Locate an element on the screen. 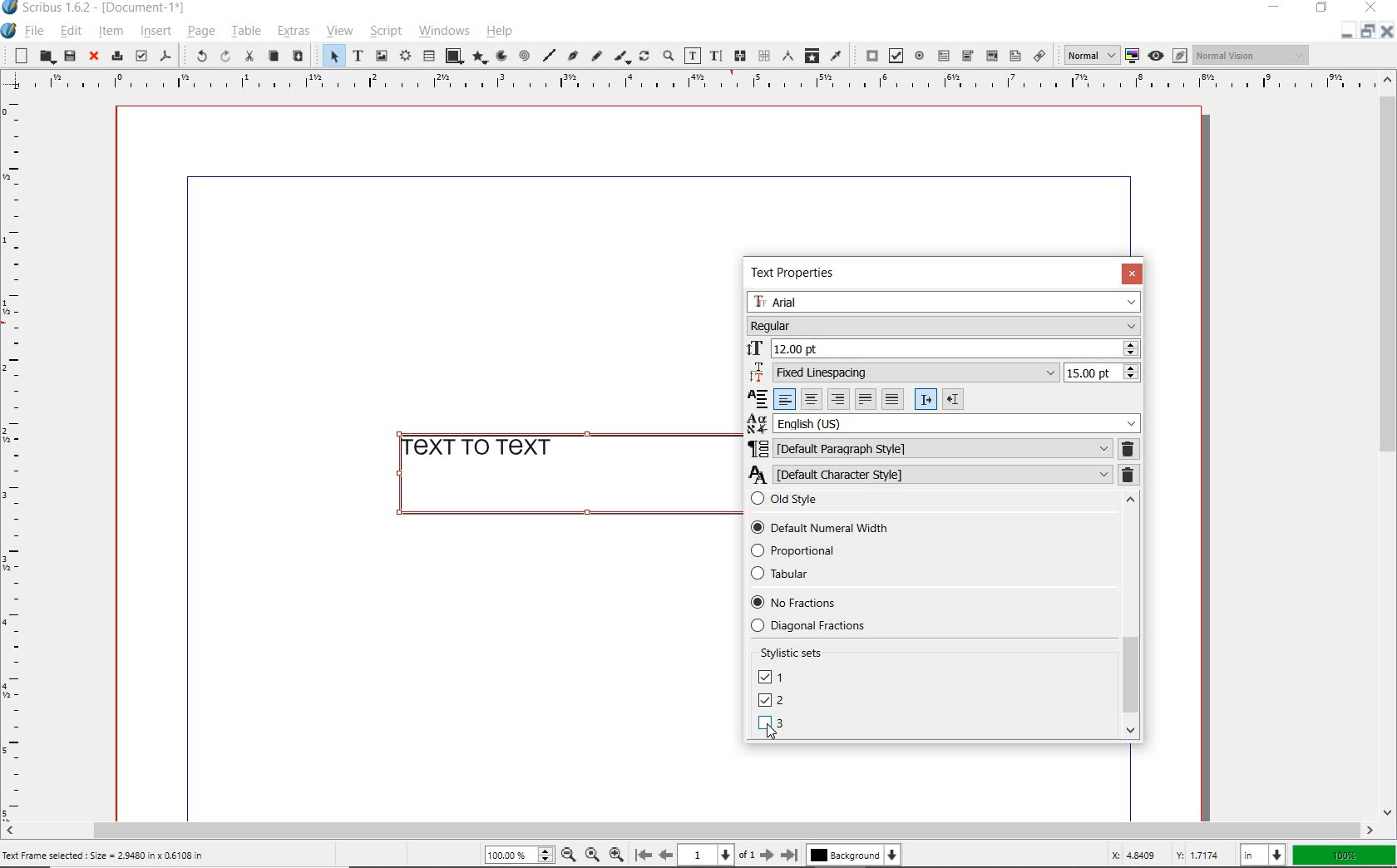 This screenshot has height=868, width=1397. normal is located at coordinates (1088, 55).